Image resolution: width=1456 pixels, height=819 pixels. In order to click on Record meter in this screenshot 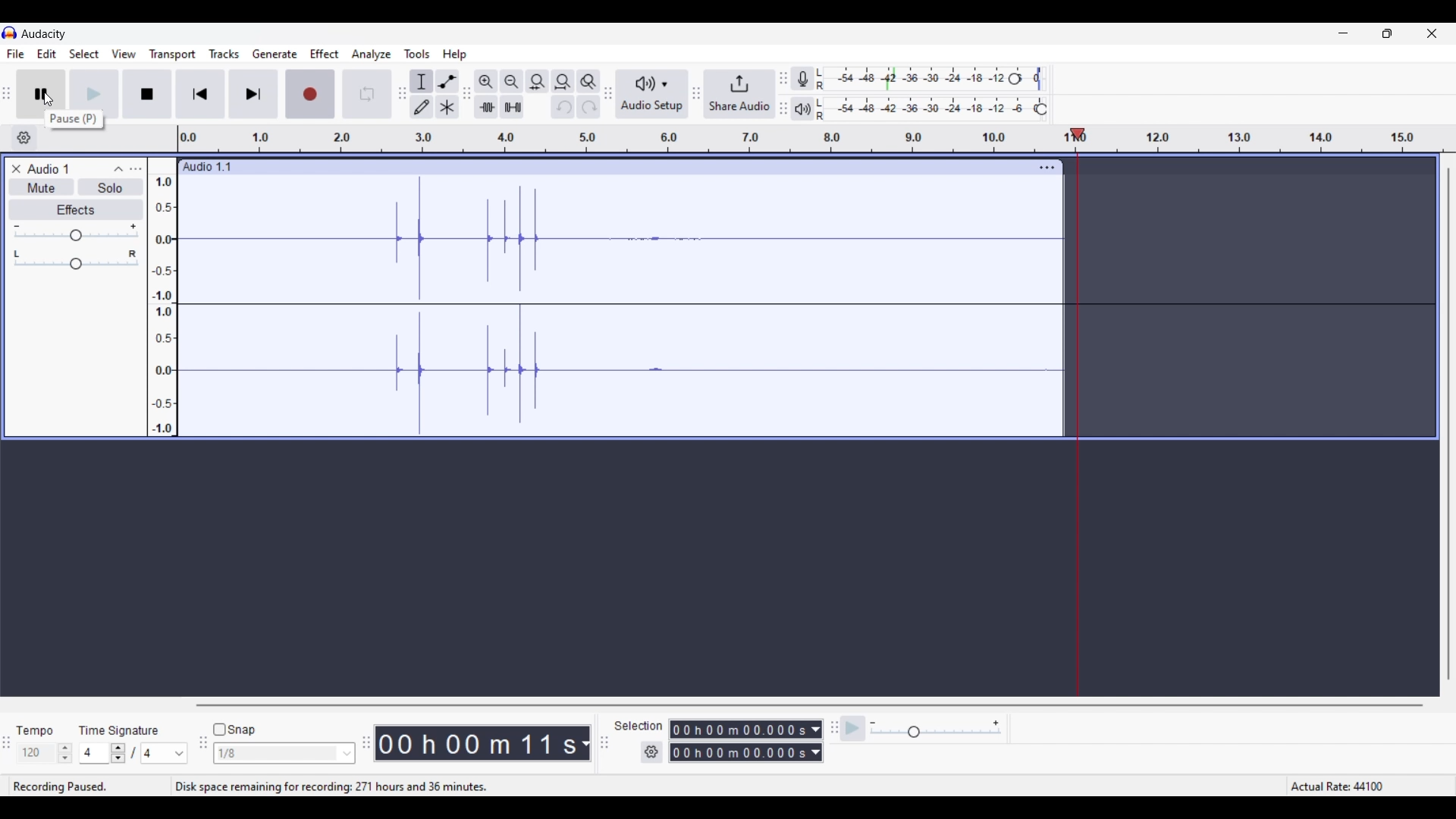, I will do `click(802, 79)`.